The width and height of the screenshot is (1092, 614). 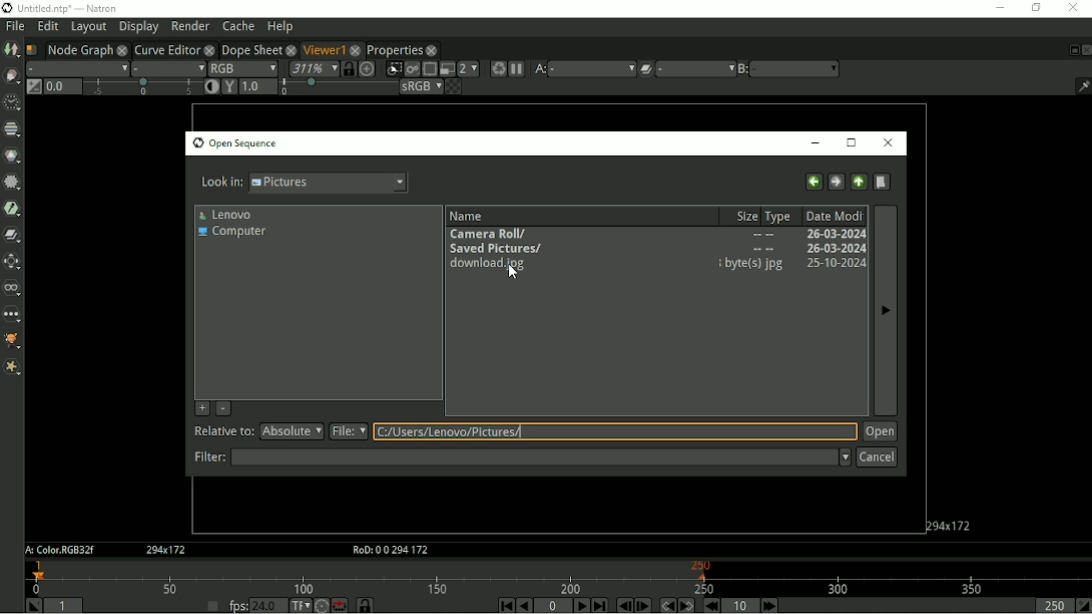 What do you see at coordinates (1073, 9) in the screenshot?
I see `Close` at bounding box center [1073, 9].